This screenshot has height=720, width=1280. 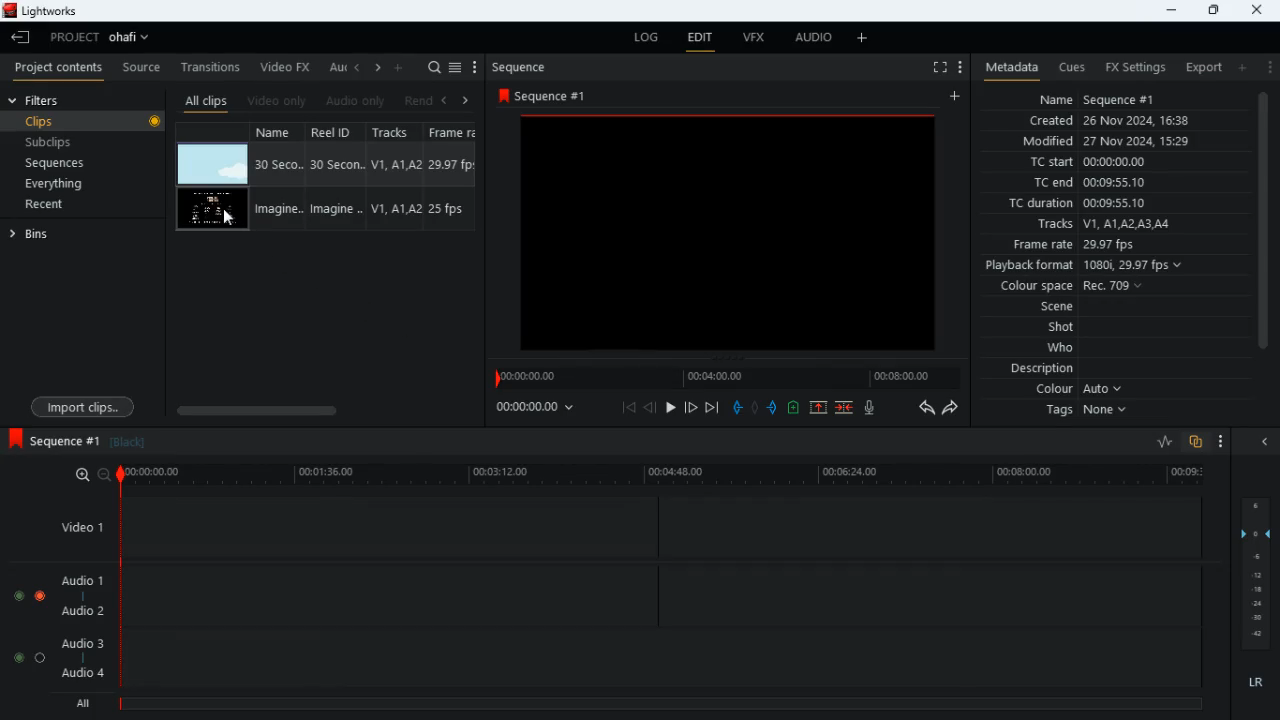 I want to click on zoom, so click(x=85, y=475).